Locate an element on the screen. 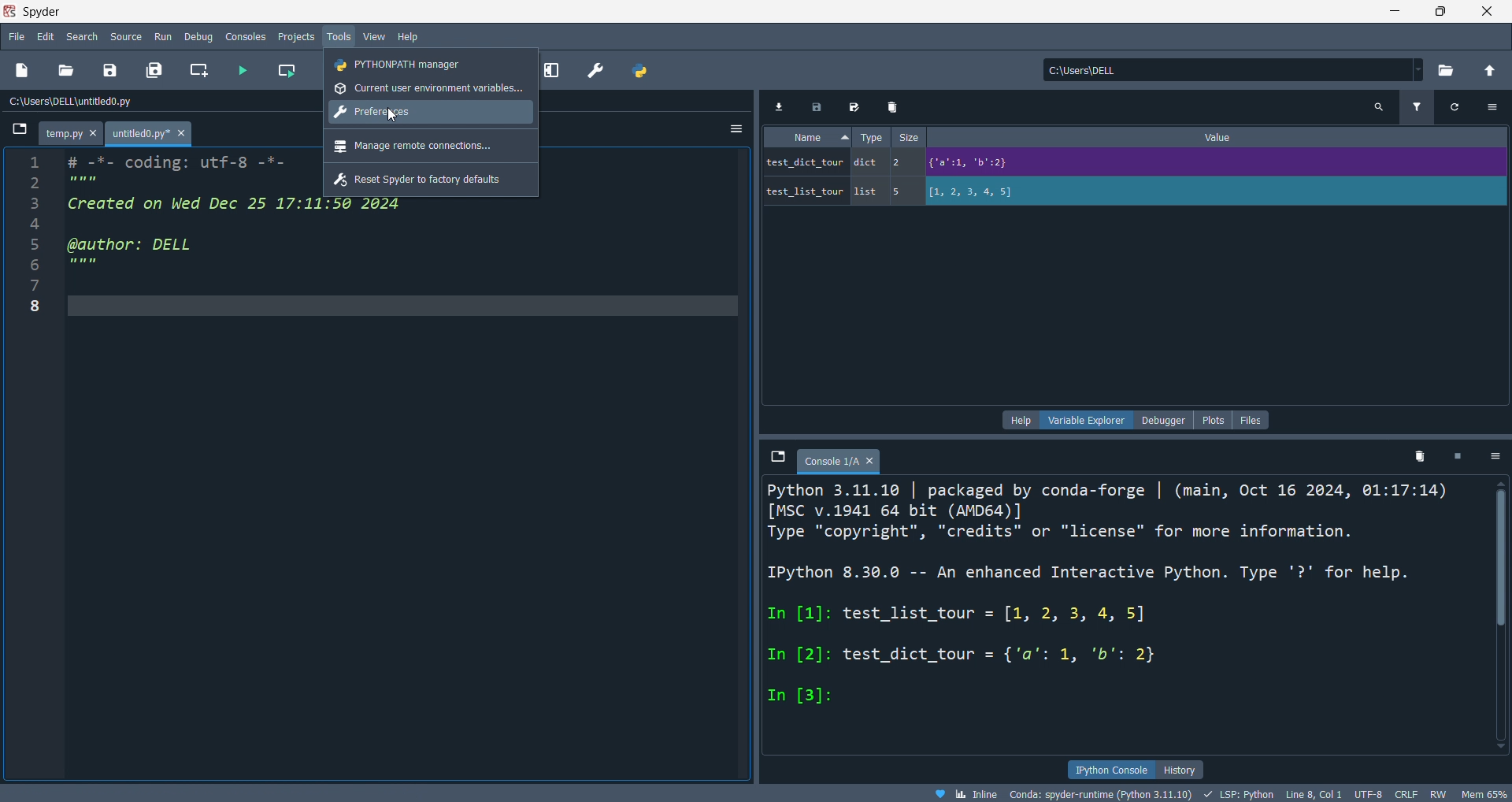 The height and width of the screenshot is (802, 1512). Conda: spyder-runtime (Python 3.11.10) is located at coordinates (1099, 793).